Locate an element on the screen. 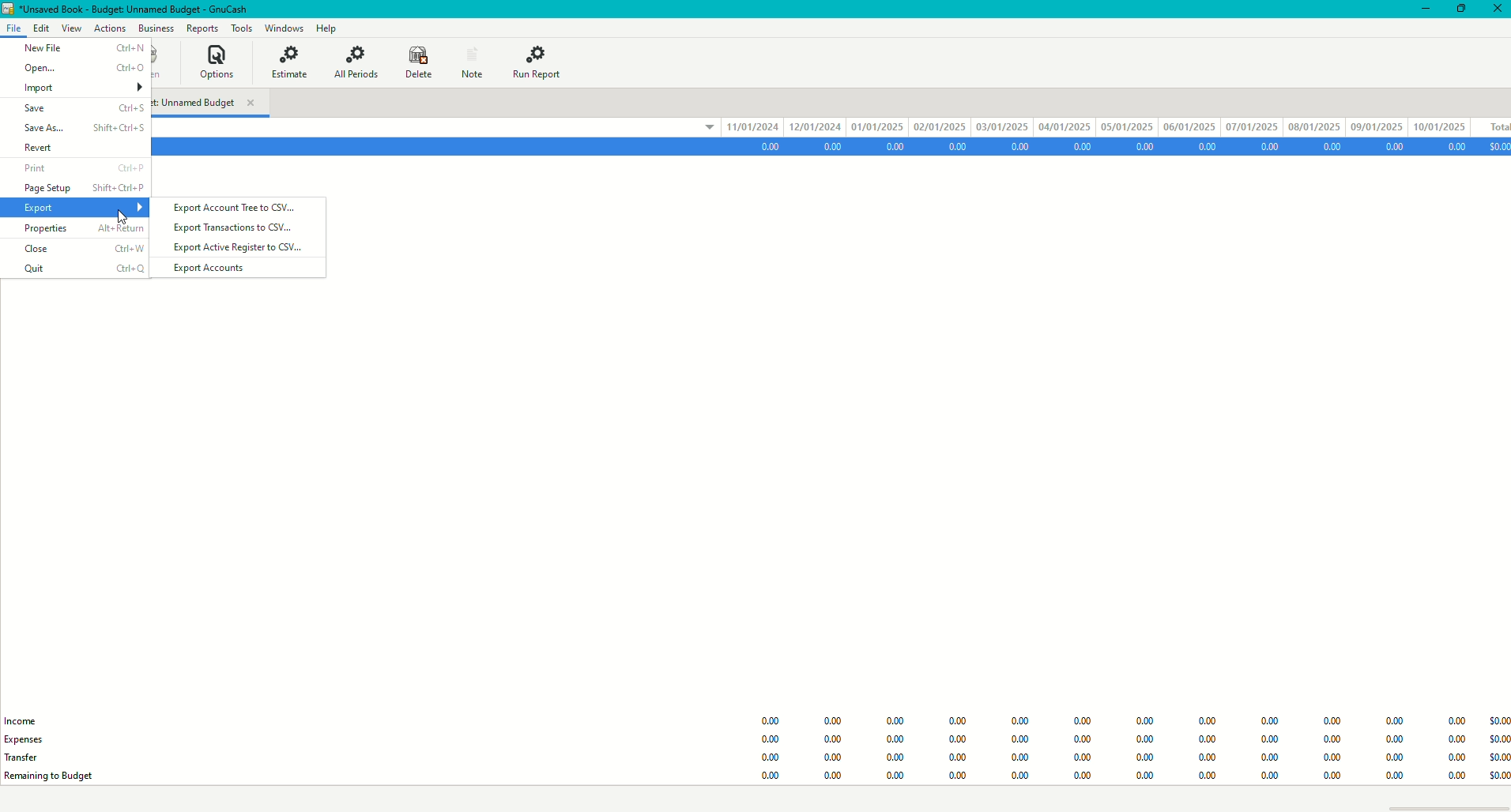 This screenshot has width=1511, height=812. Export Accounts is located at coordinates (214, 268).